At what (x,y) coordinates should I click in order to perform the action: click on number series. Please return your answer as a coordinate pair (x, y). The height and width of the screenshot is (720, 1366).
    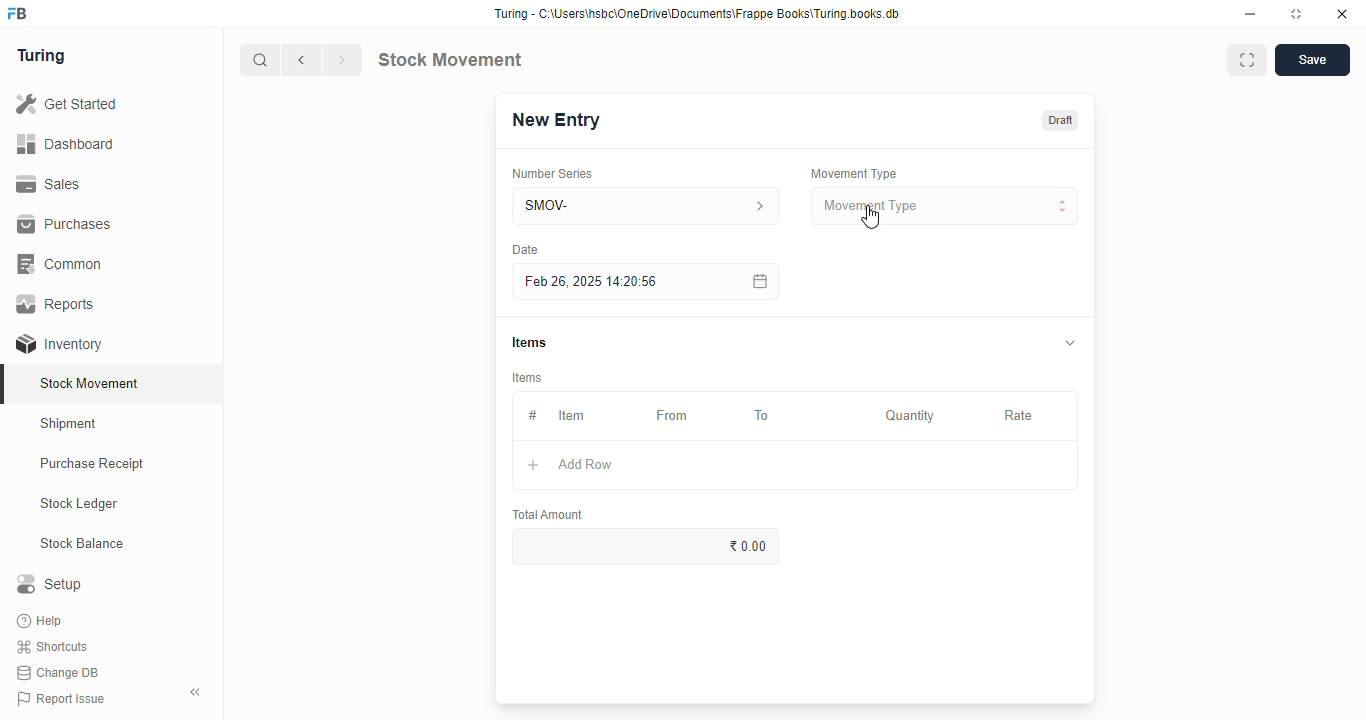
    Looking at the image, I should click on (551, 174).